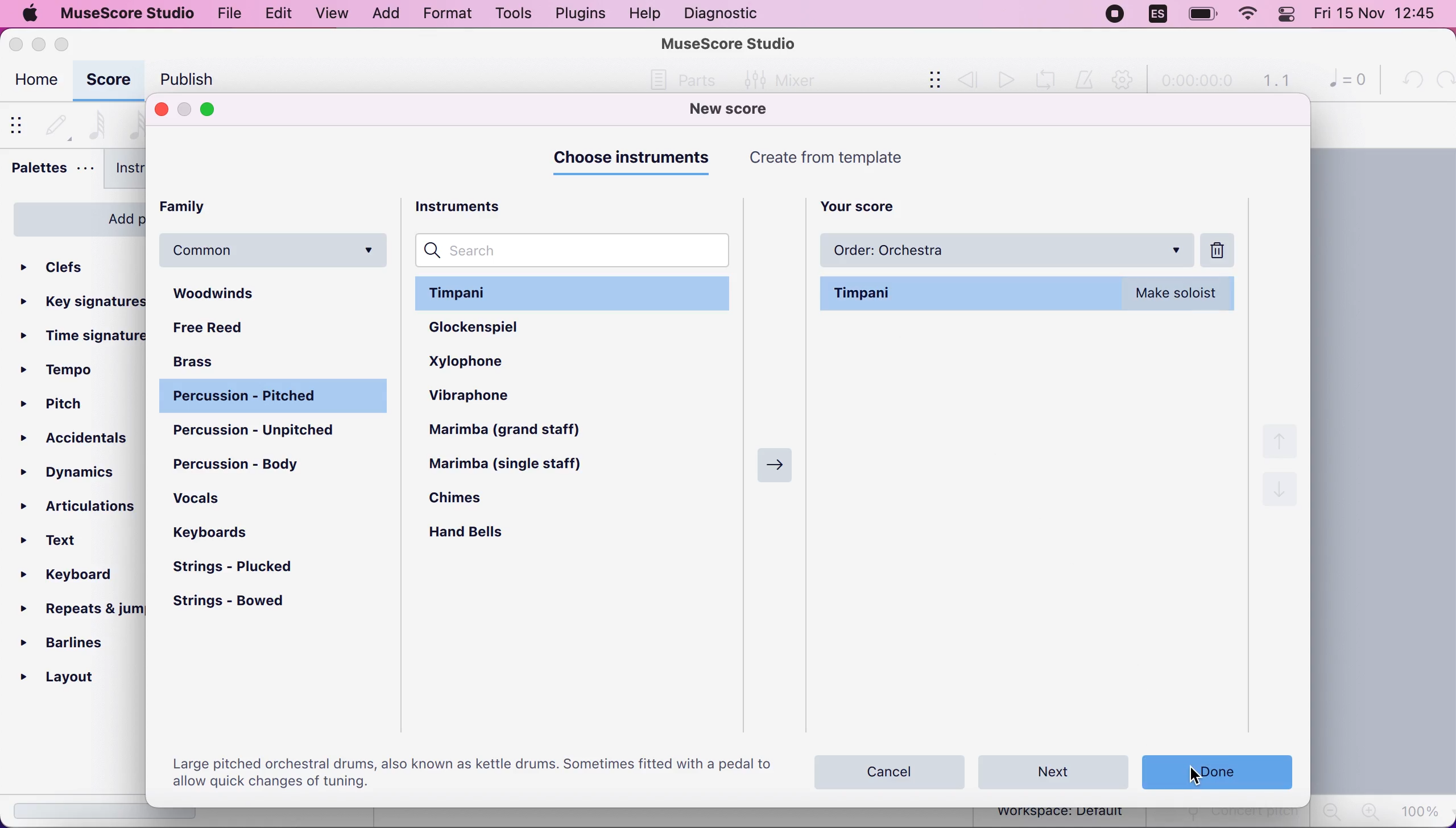 This screenshot has height=828, width=1456. What do you see at coordinates (776, 78) in the screenshot?
I see `Mixer` at bounding box center [776, 78].